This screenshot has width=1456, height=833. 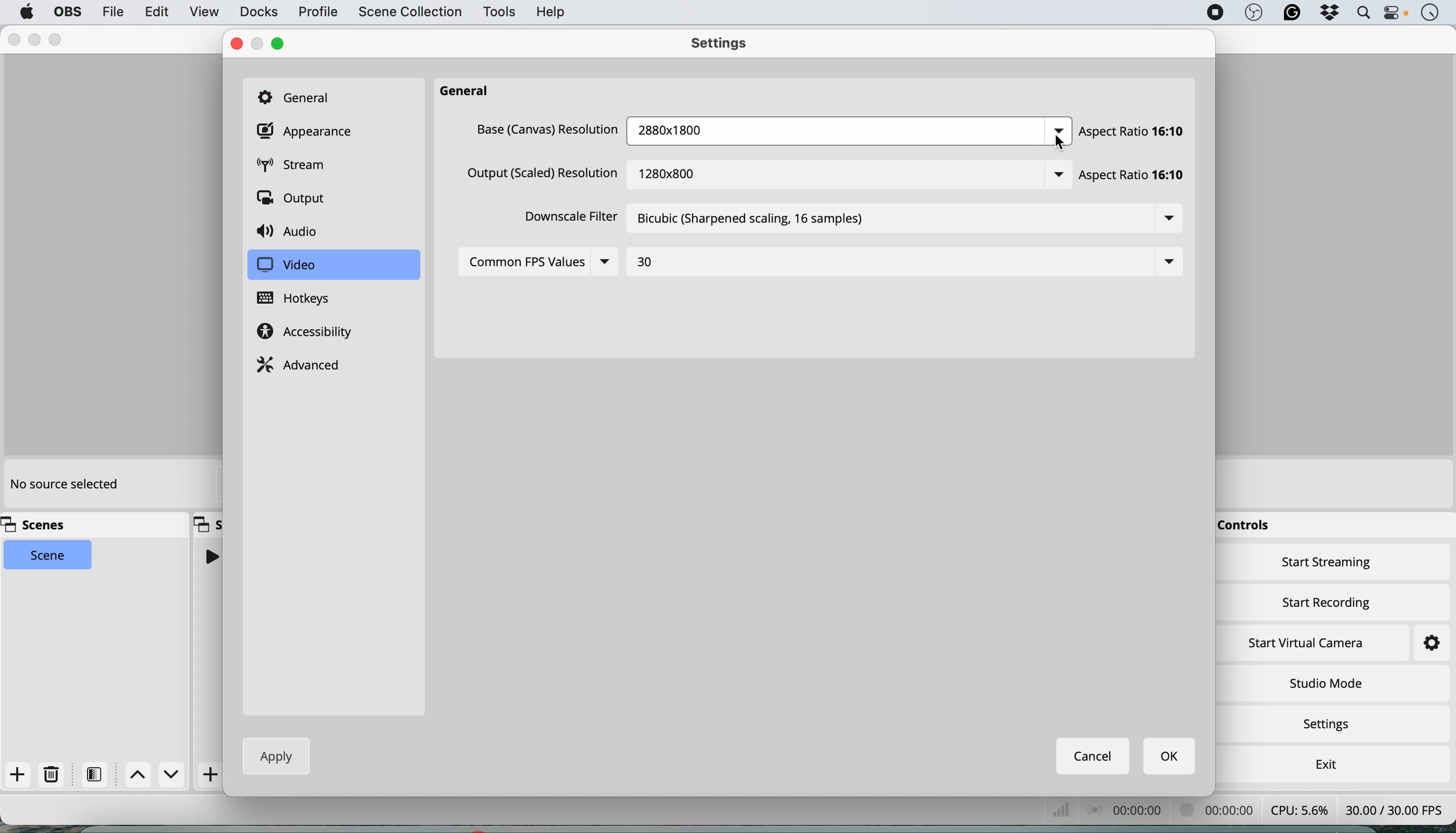 What do you see at coordinates (208, 523) in the screenshot?
I see `Copy ` at bounding box center [208, 523].